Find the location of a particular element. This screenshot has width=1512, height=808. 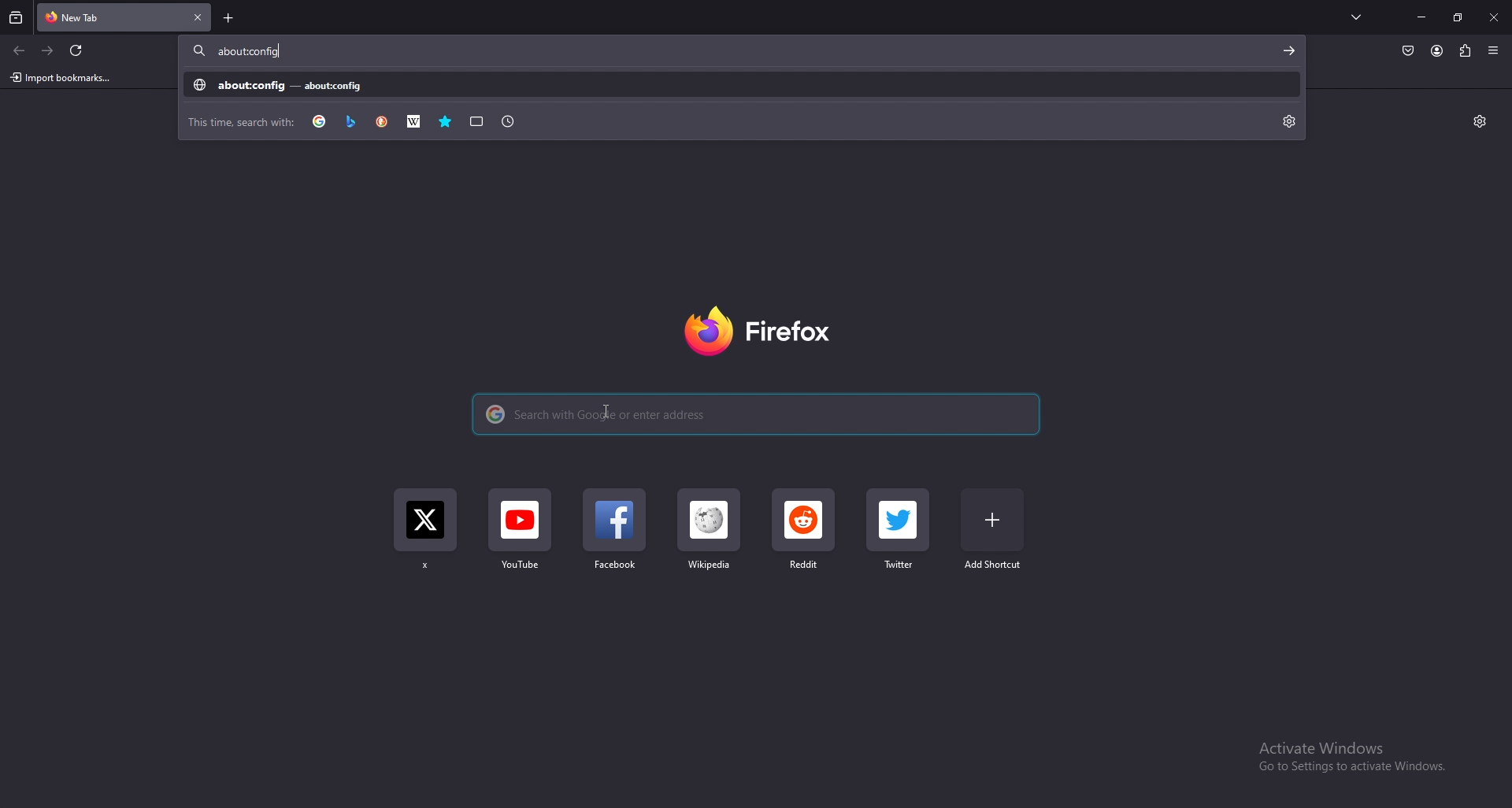

history is located at coordinates (508, 120).